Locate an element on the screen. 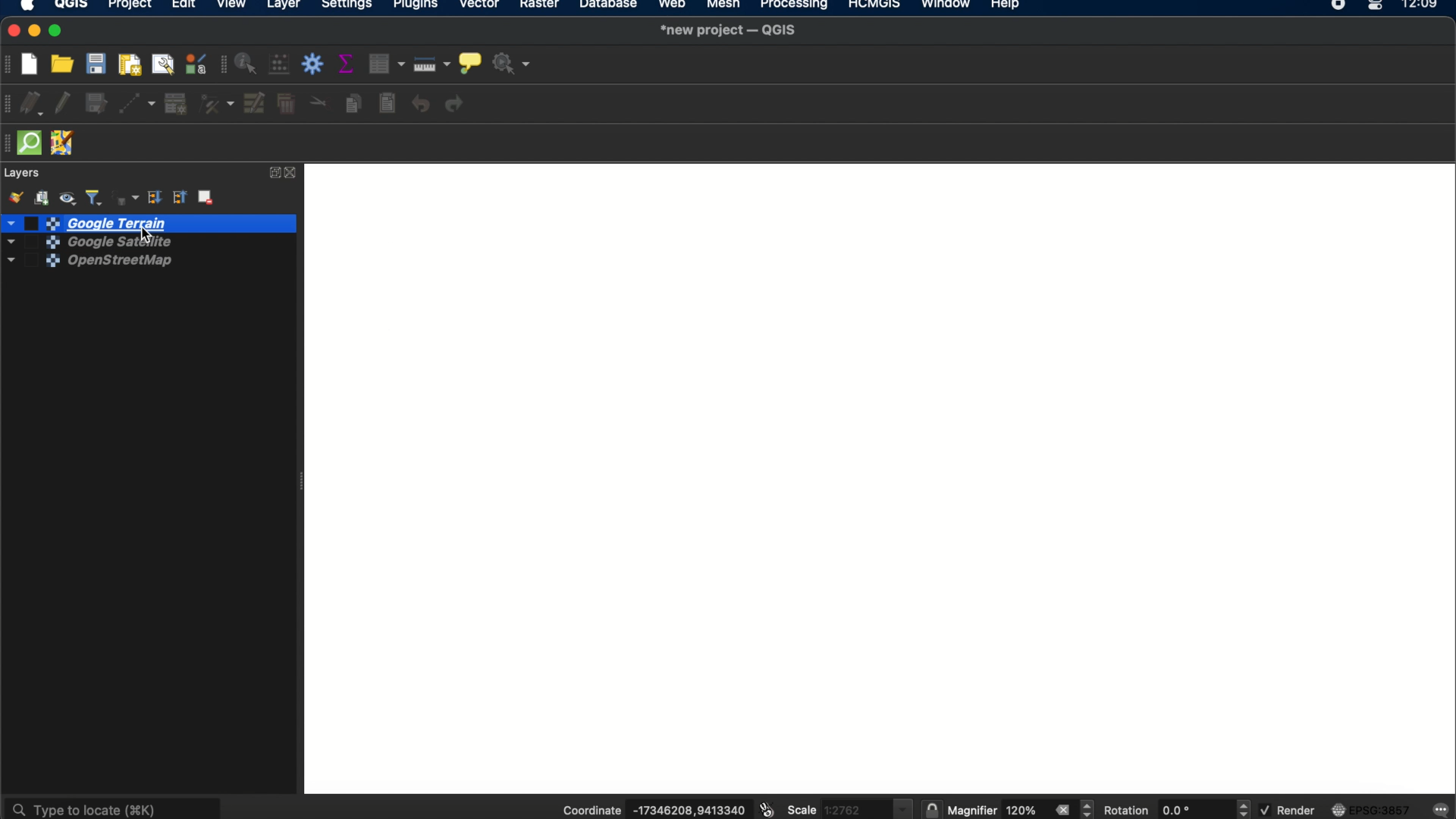 Image resolution: width=1456 pixels, height=819 pixels. google satellite is located at coordinates (85, 243).